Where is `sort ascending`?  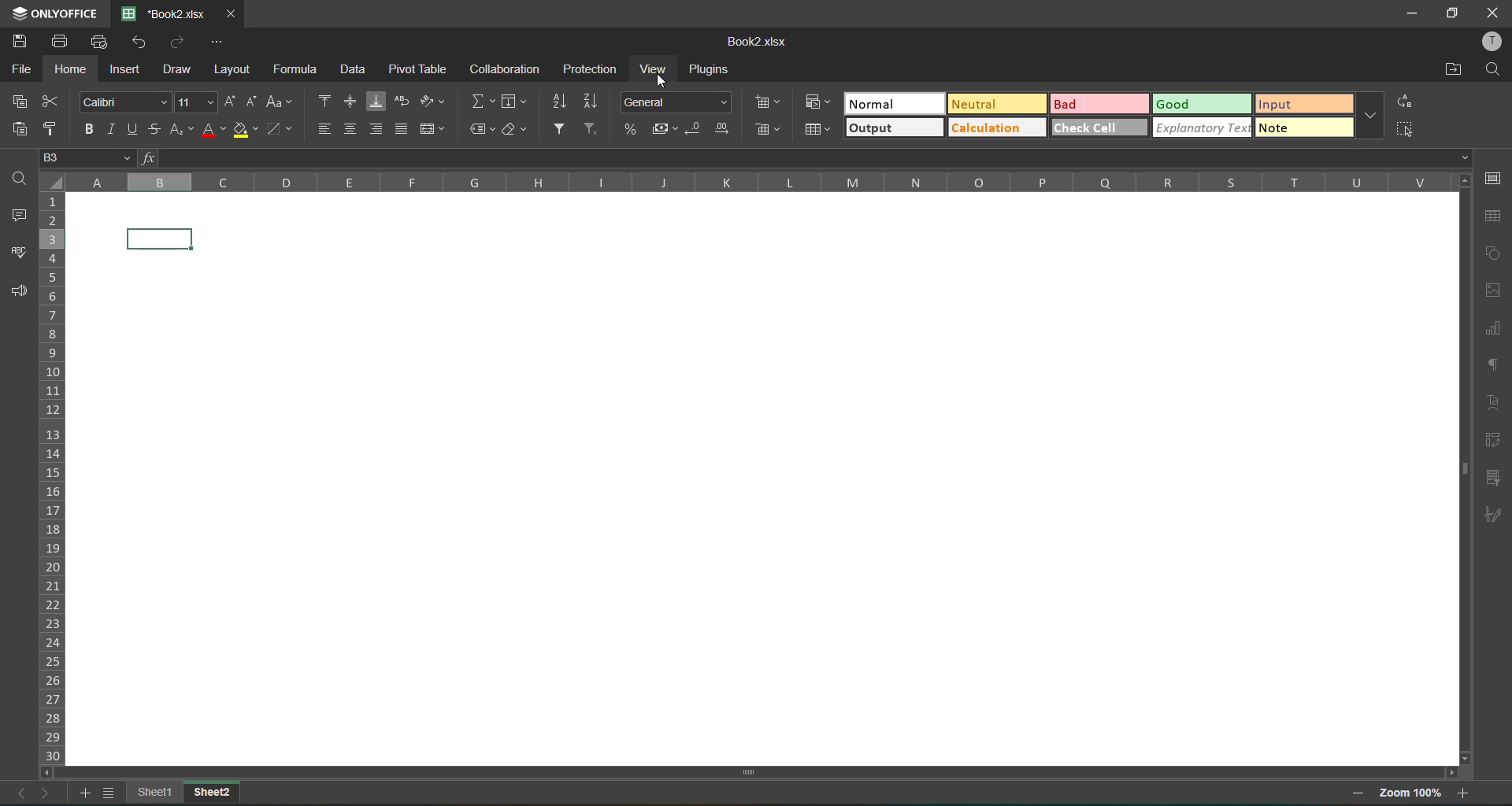
sort ascending is located at coordinates (561, 101).